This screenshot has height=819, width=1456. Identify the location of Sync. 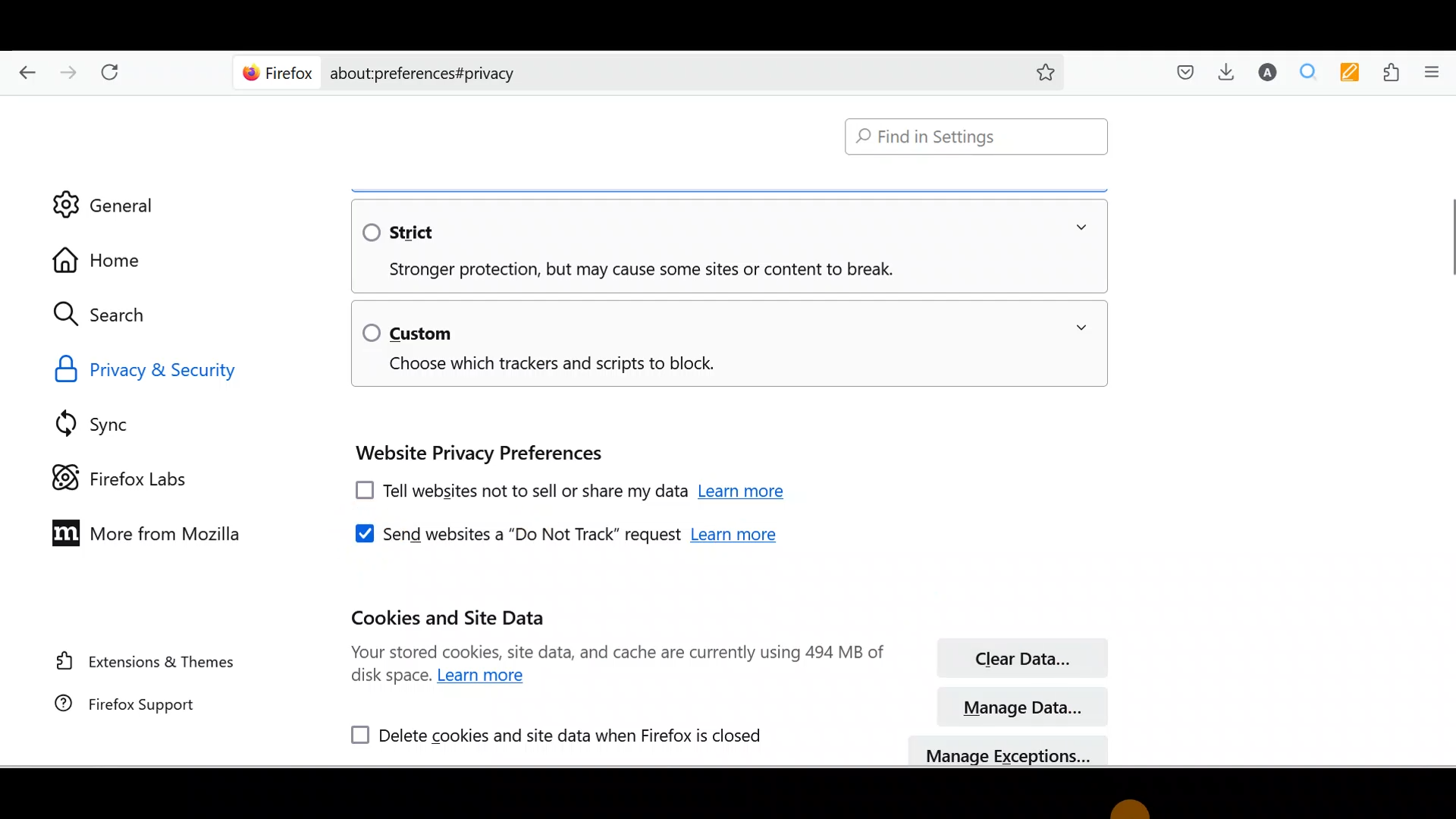
(118, 419).